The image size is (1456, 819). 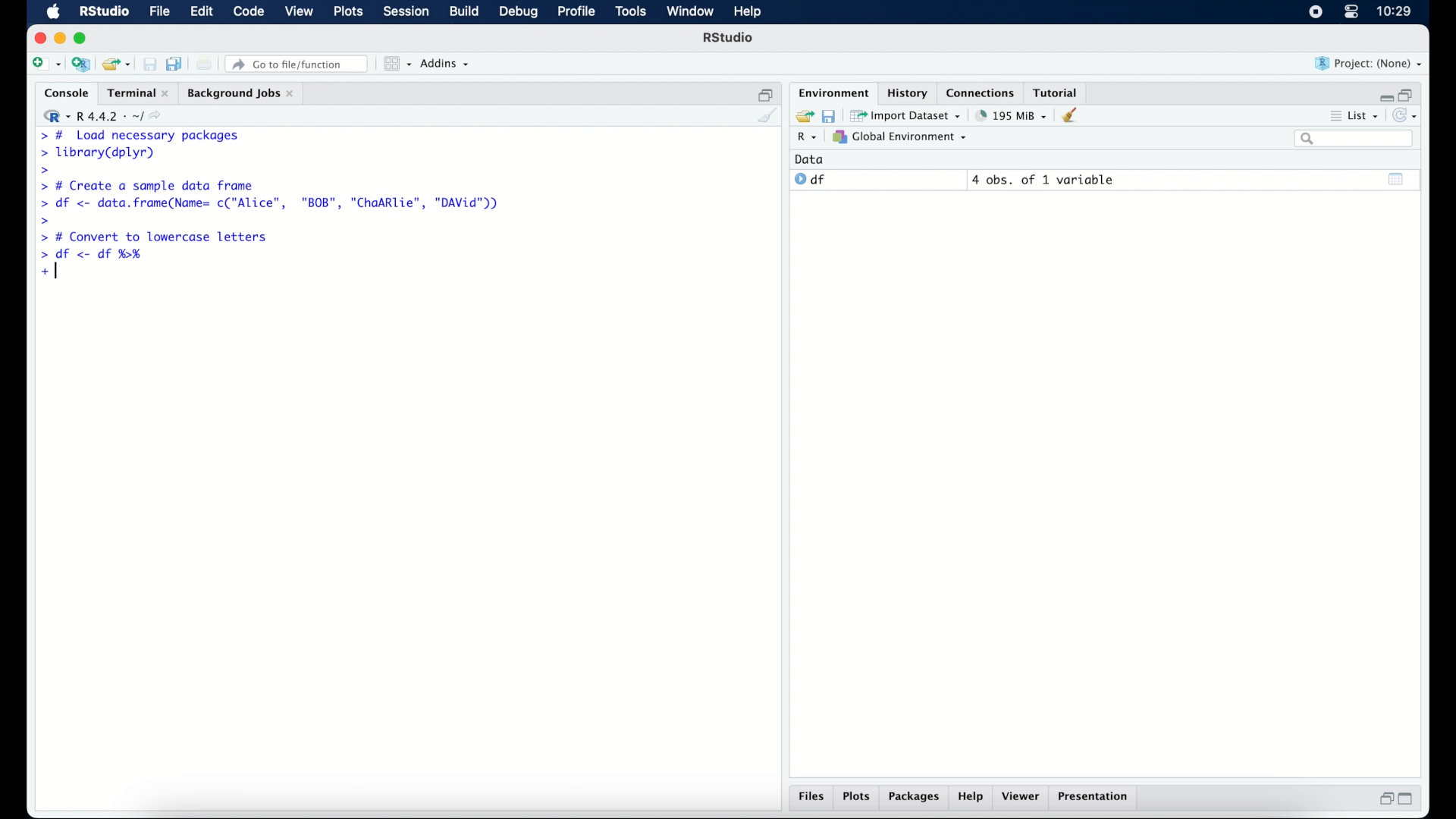 I want to click on project (none), so click(x=1370, y=64).